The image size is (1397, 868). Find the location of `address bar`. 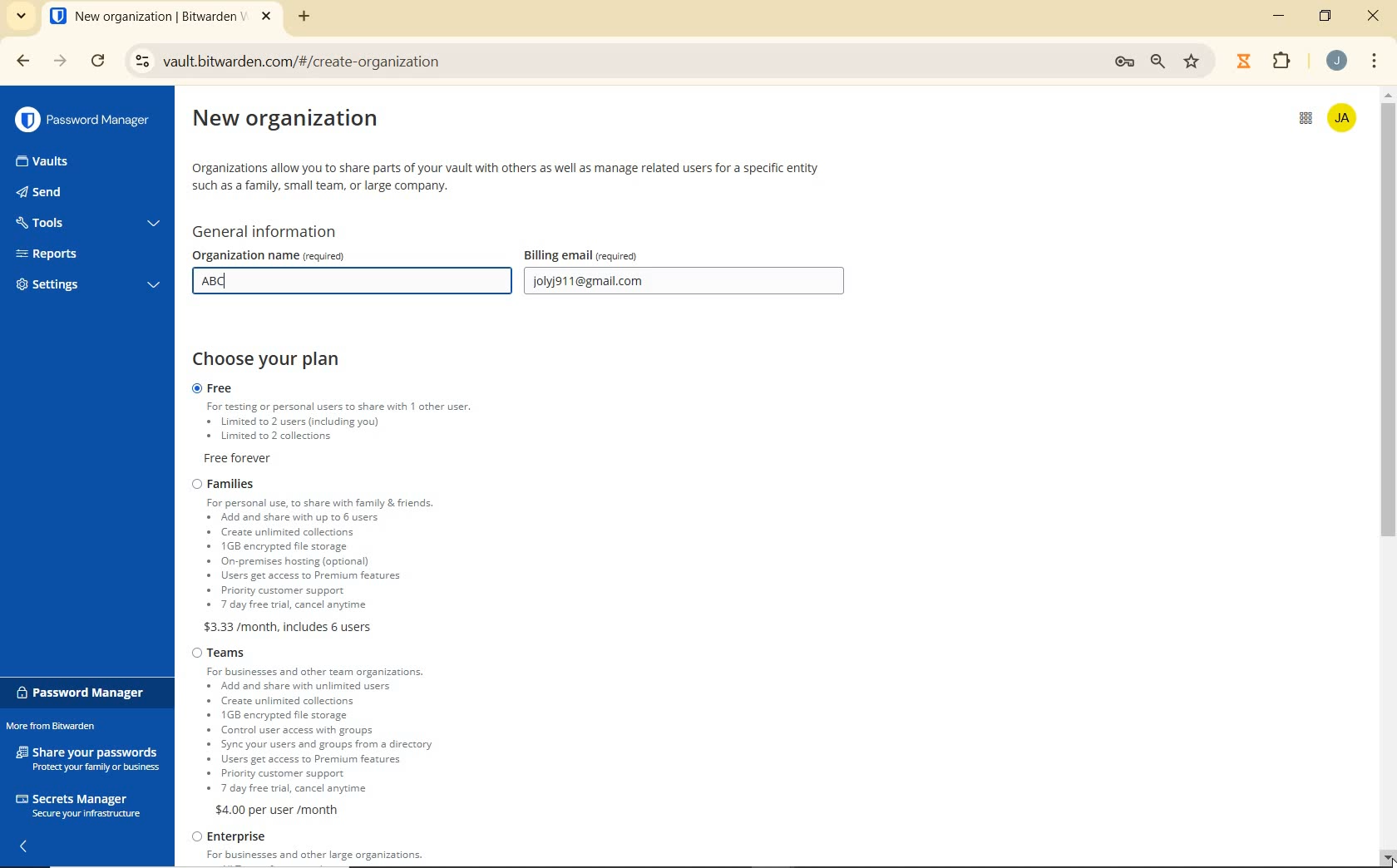

address bar is located at coordinates (612, 63).